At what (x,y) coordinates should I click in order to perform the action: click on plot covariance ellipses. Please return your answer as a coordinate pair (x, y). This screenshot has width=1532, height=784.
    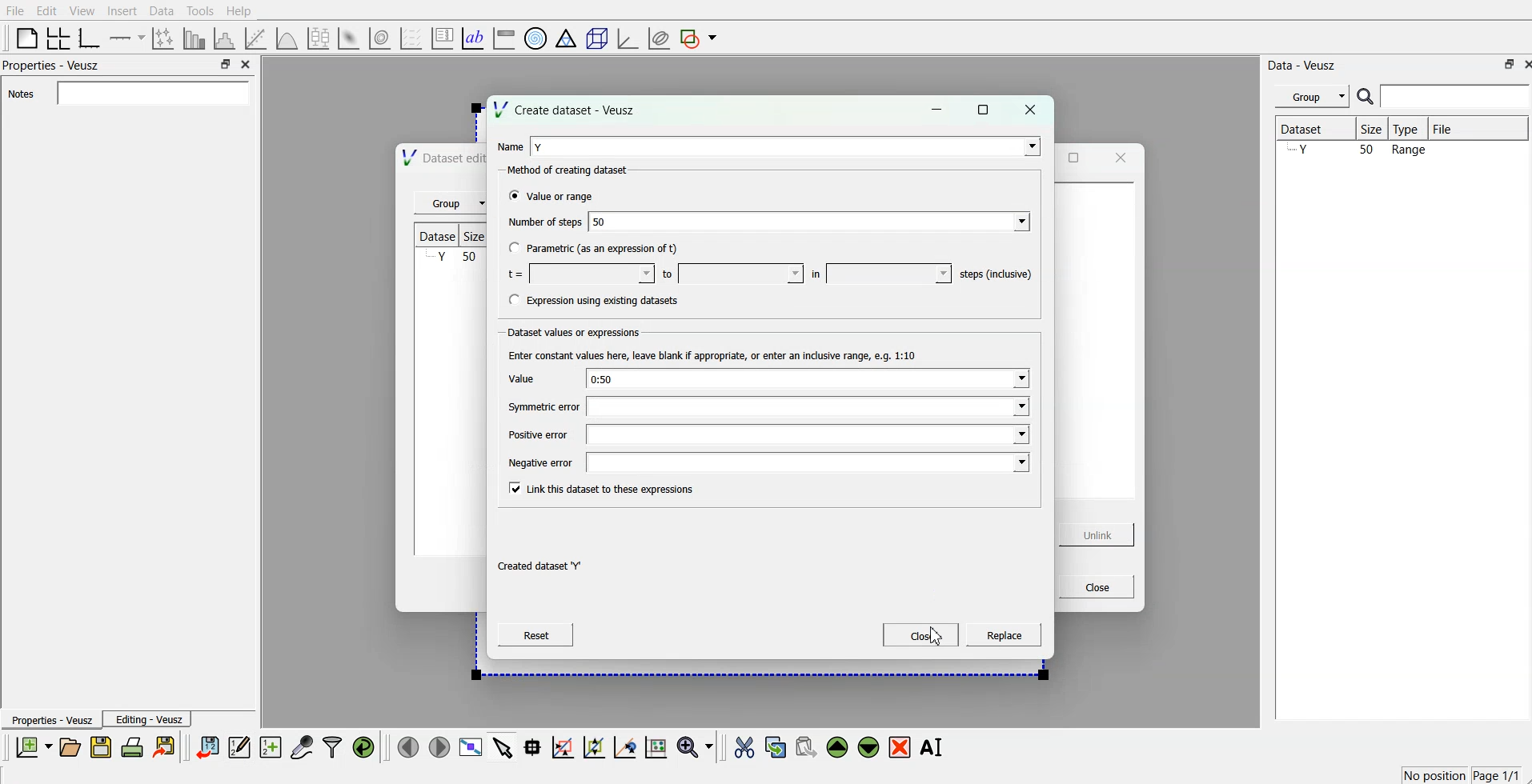
    Looking at the image, I should click on (658, 37).